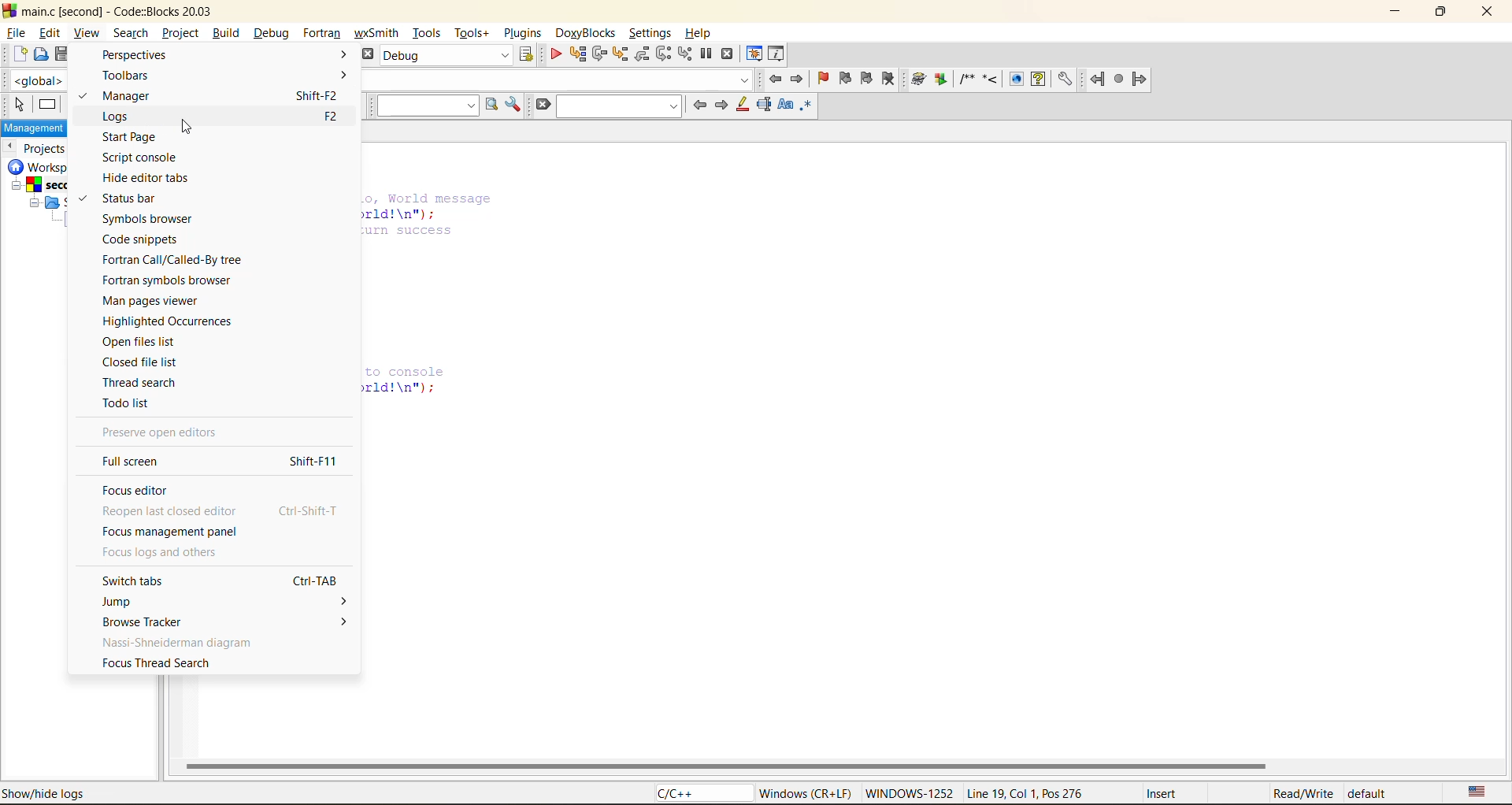 The height and width of the screenshot is (805, 1512). I want to click on toolbars, so click(132, 74).